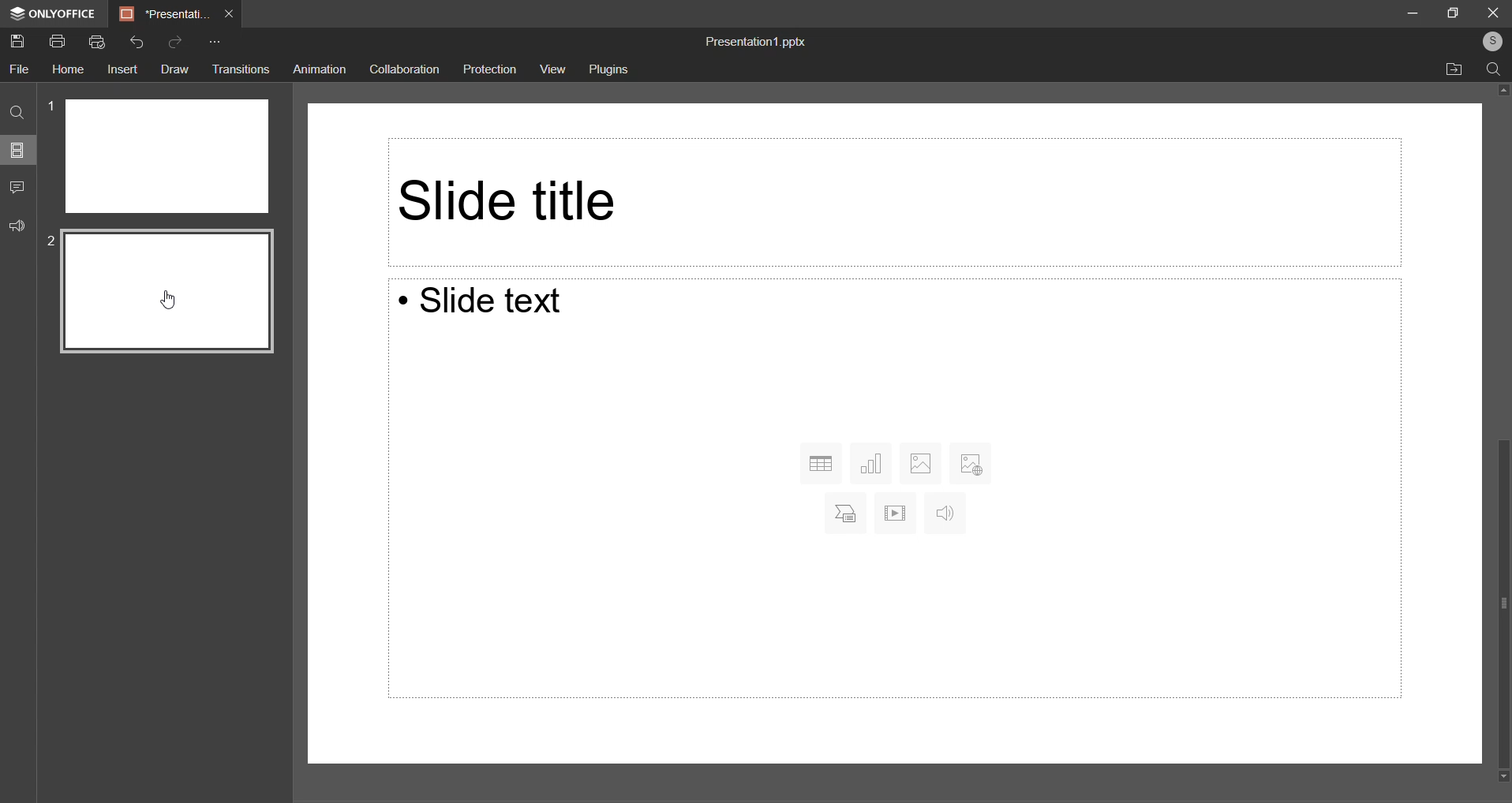 The height and width of the screenshot is (803, 1512). Describe the element at coordinates (552, 69) in the screenshot. I see `View` at that location.